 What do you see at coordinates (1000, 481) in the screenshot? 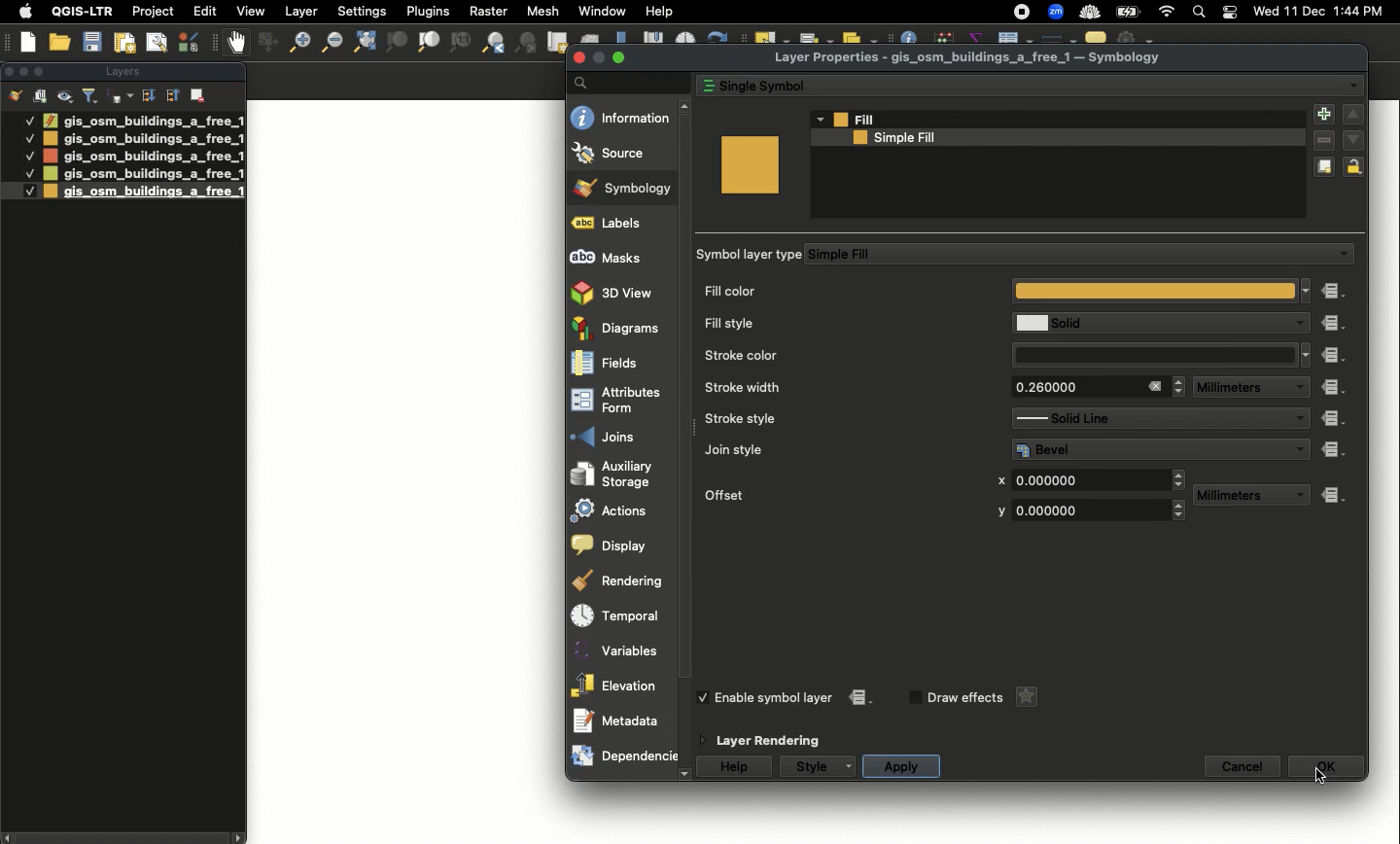
I see `x` at bounding box center [1000, 481].